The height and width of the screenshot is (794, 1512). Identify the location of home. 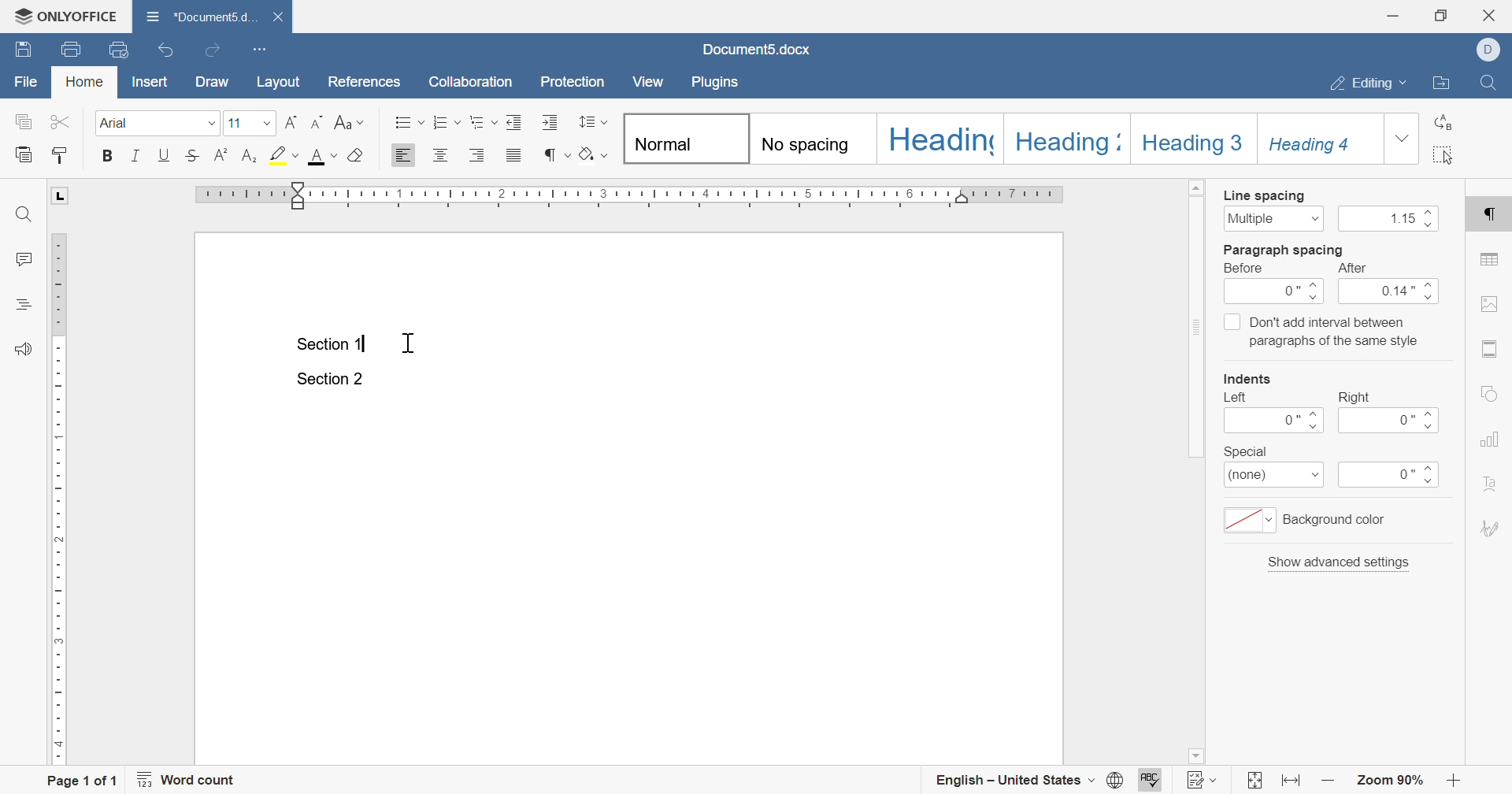
(85, 82).